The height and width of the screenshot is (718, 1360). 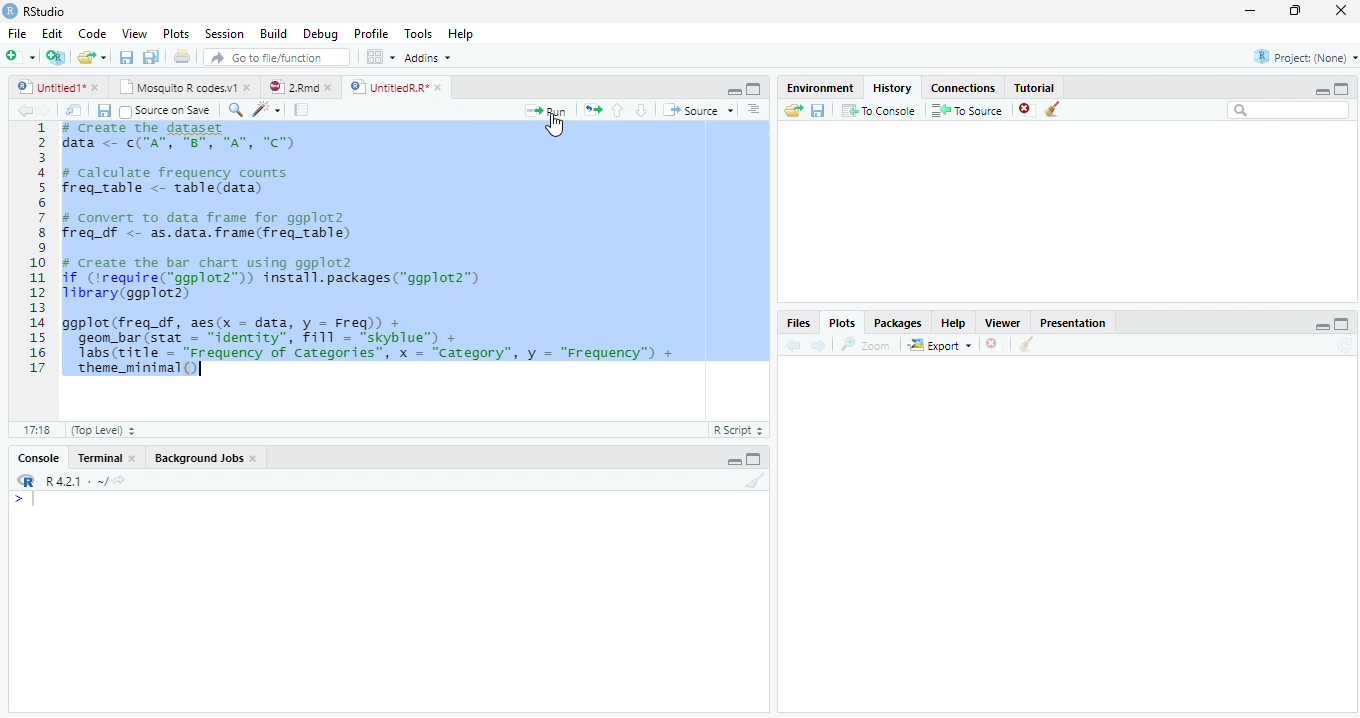 What do you see at coordinates (41, 457) in the screenshot?
I see `Console` at bounding box center [41, 457].